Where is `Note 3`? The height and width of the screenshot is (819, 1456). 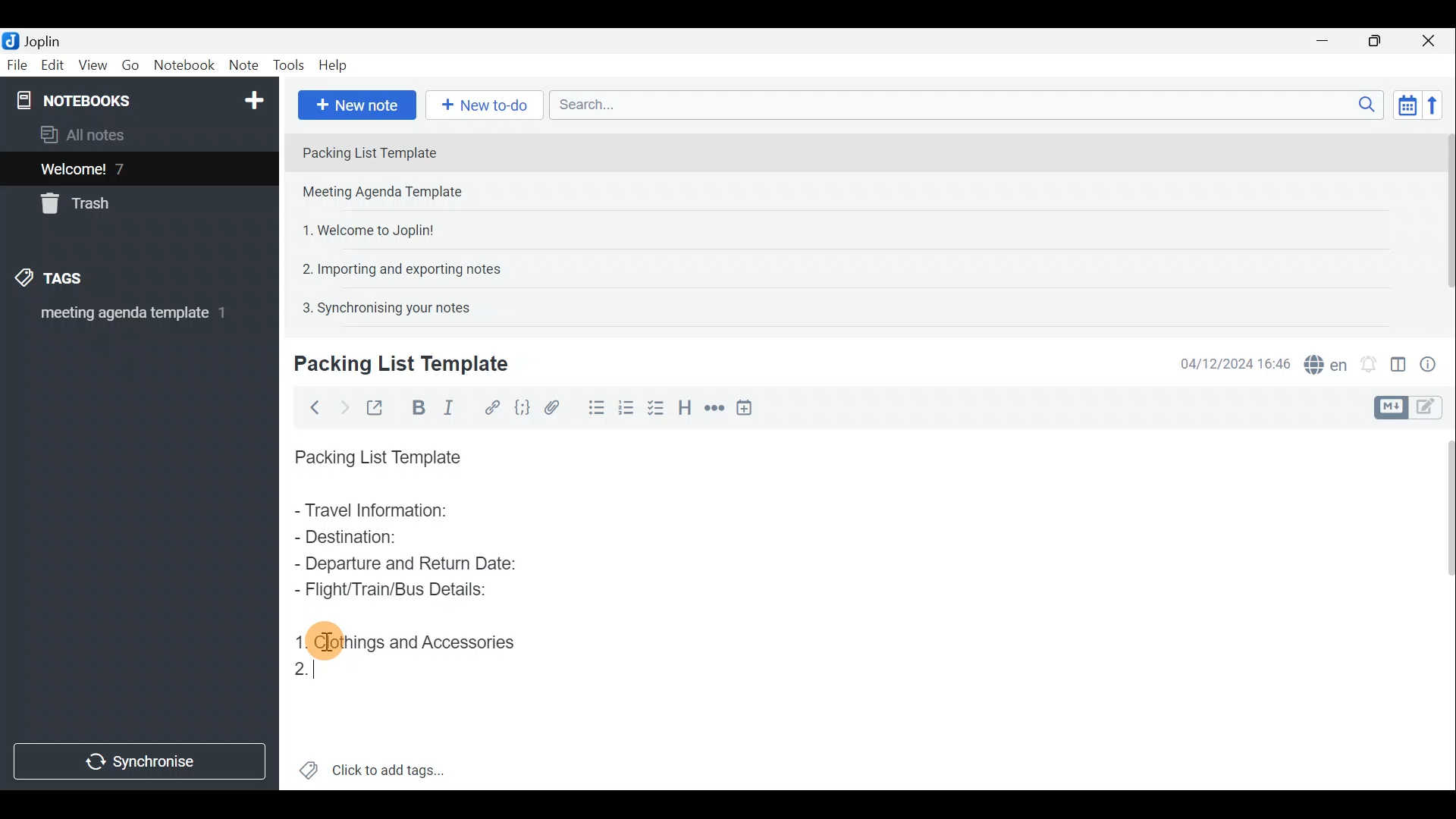 Note 3 is located at coordinates (362, 228).